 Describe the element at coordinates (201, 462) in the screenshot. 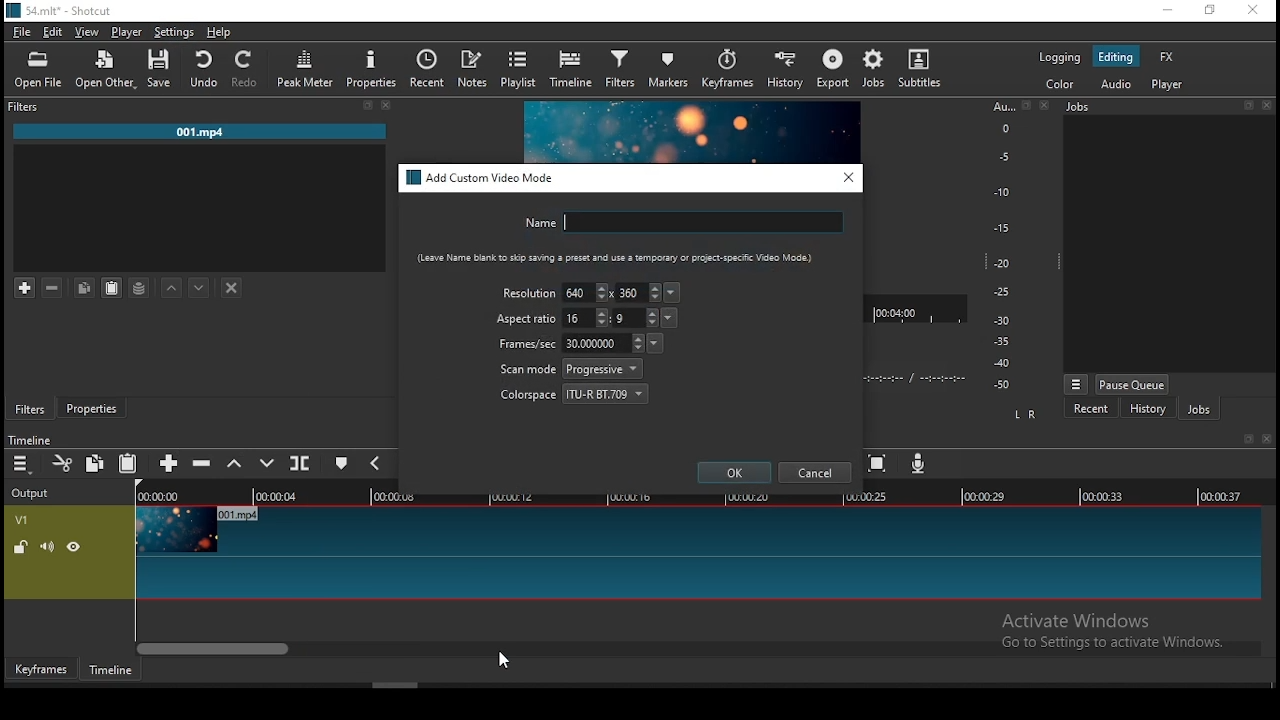

I see `ripple delete` at that location.